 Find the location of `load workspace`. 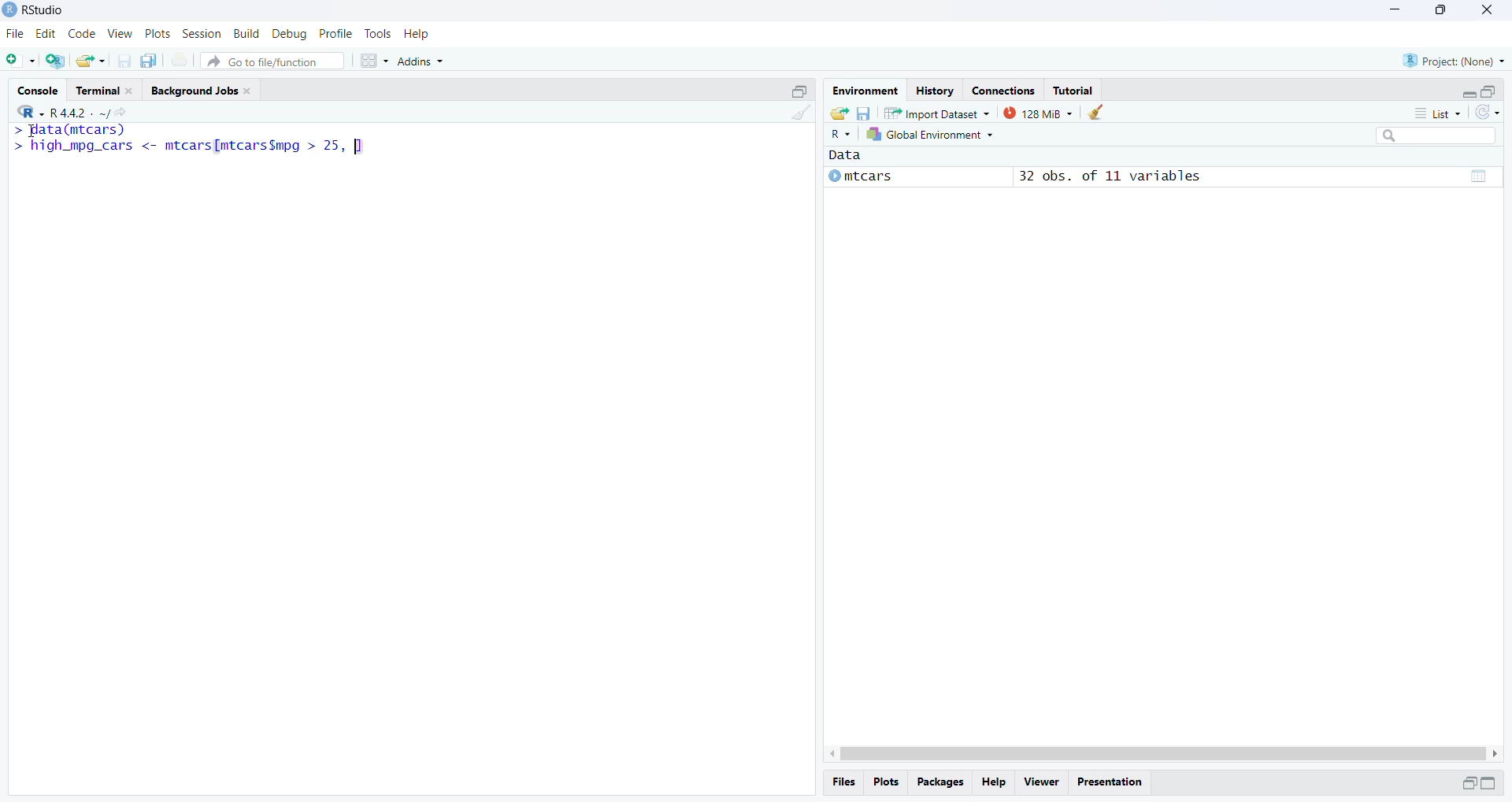

load workspace is located at coordinates (839, 113).